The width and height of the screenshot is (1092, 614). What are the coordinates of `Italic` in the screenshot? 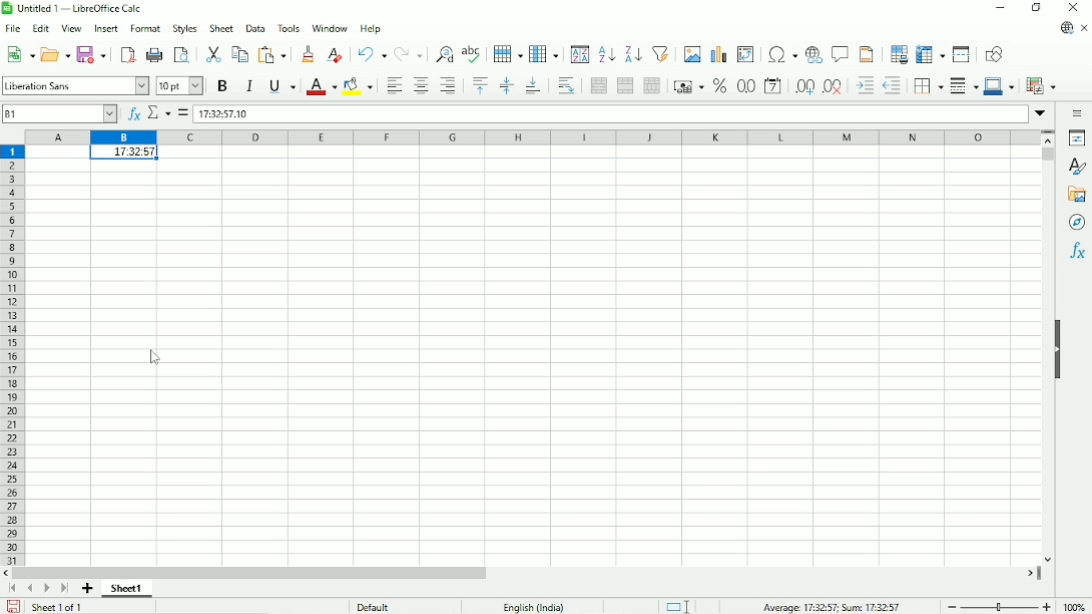 It's located at (251, 86).